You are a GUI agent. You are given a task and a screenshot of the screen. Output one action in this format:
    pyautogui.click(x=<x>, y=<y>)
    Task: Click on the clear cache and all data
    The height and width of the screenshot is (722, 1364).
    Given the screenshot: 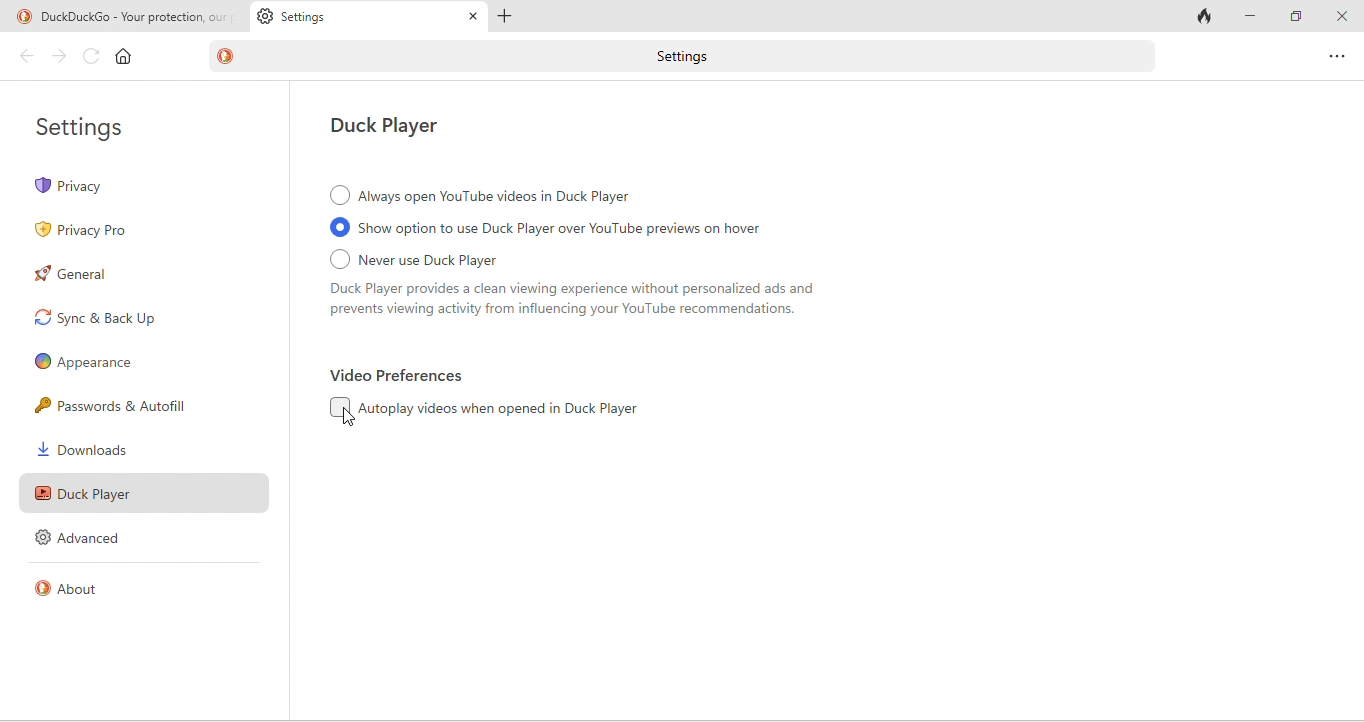 What is the action you would take?
    pyautogui.click(x=1206, y=16)
    